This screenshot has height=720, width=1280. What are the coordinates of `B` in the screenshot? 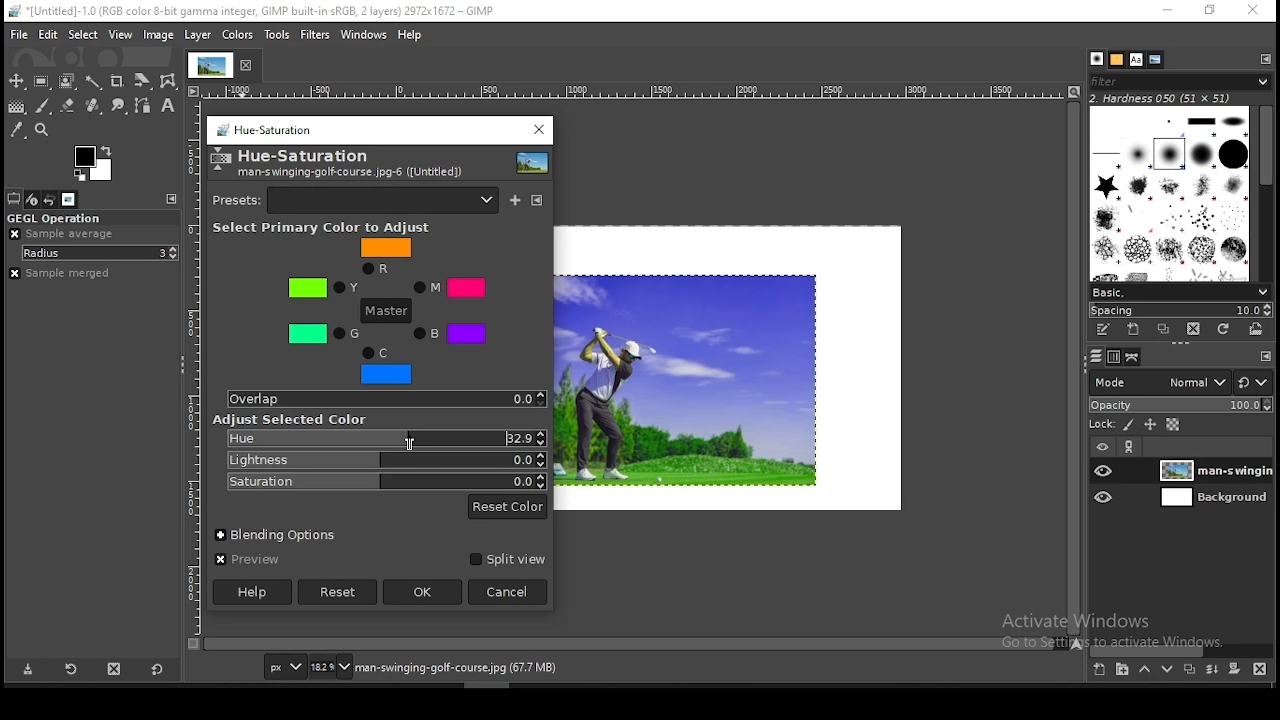 It's located at (452, 333).